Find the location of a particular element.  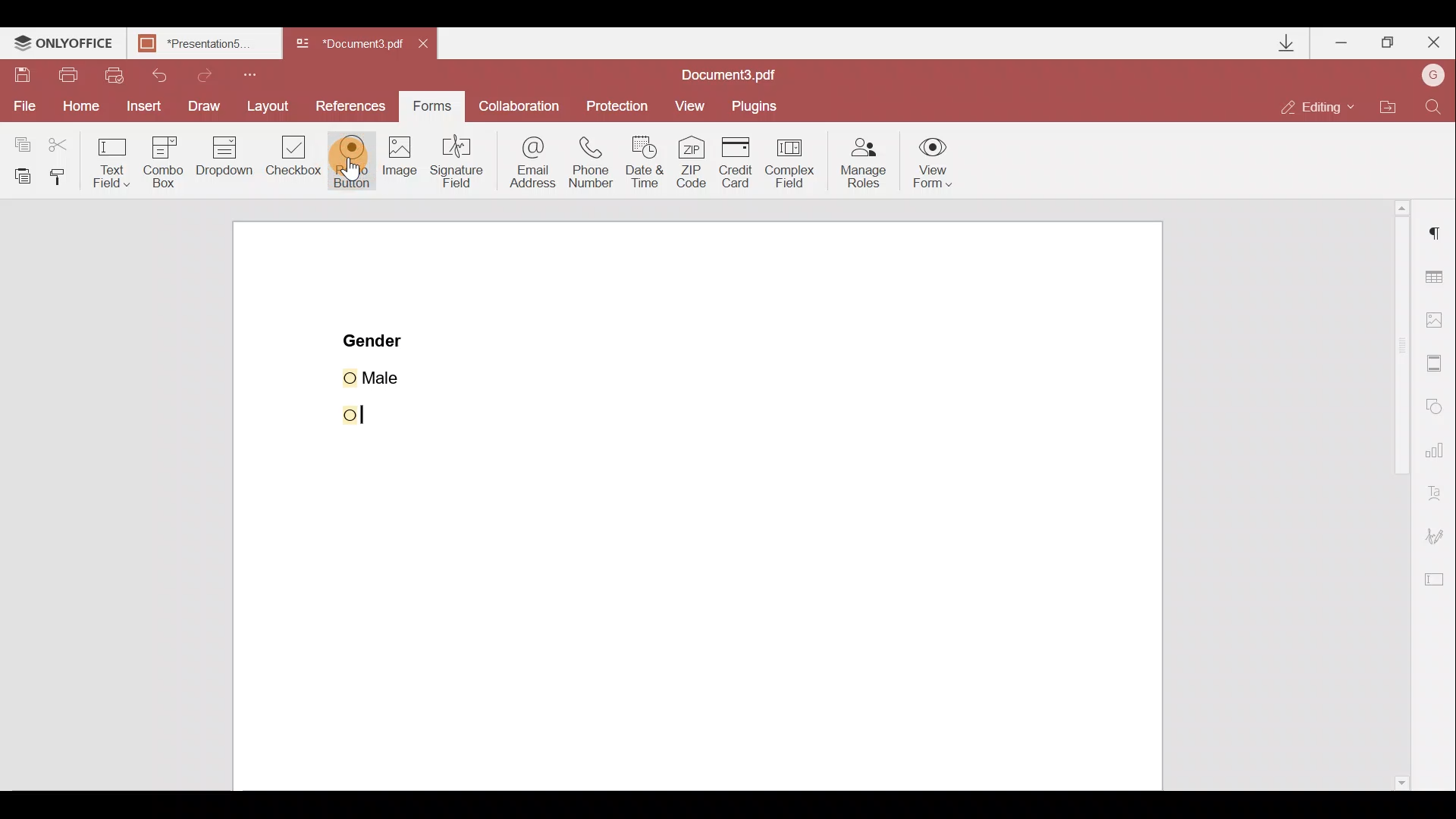

Manage roles is located at coordinates (859, 162).